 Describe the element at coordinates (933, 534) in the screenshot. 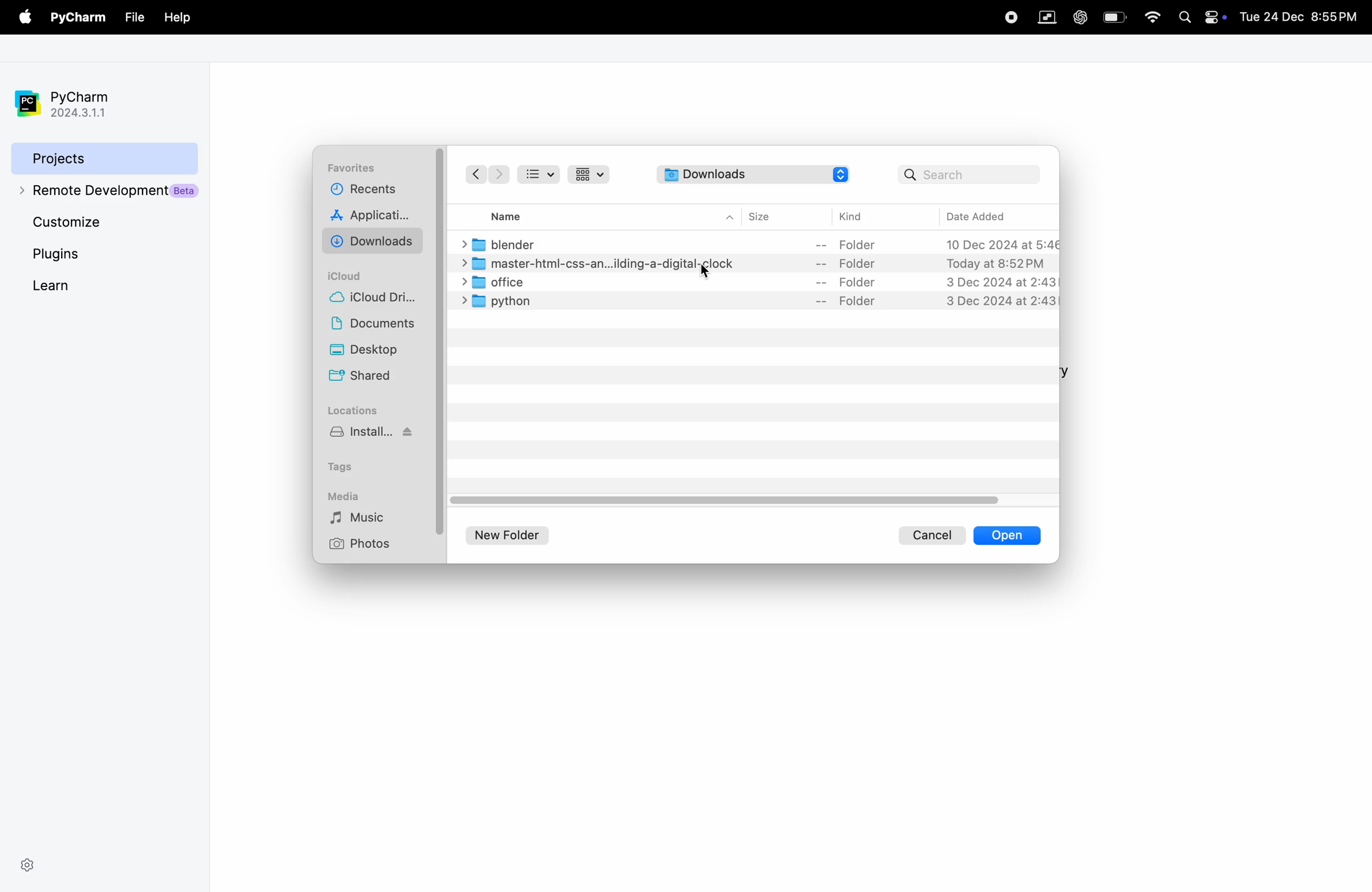

I see `cancel` at that location.